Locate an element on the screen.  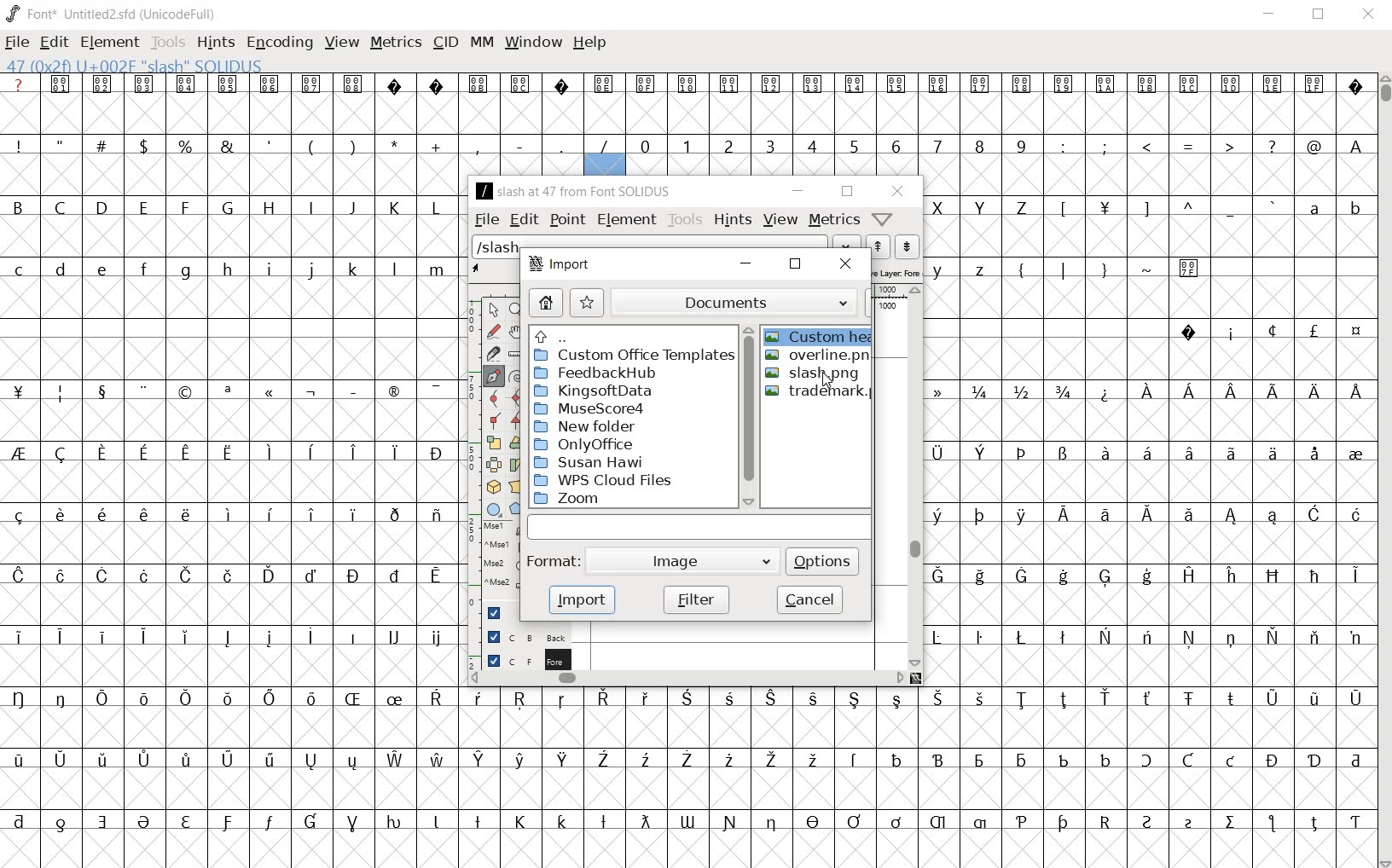
empty cells is located at coordinates (232, 605).